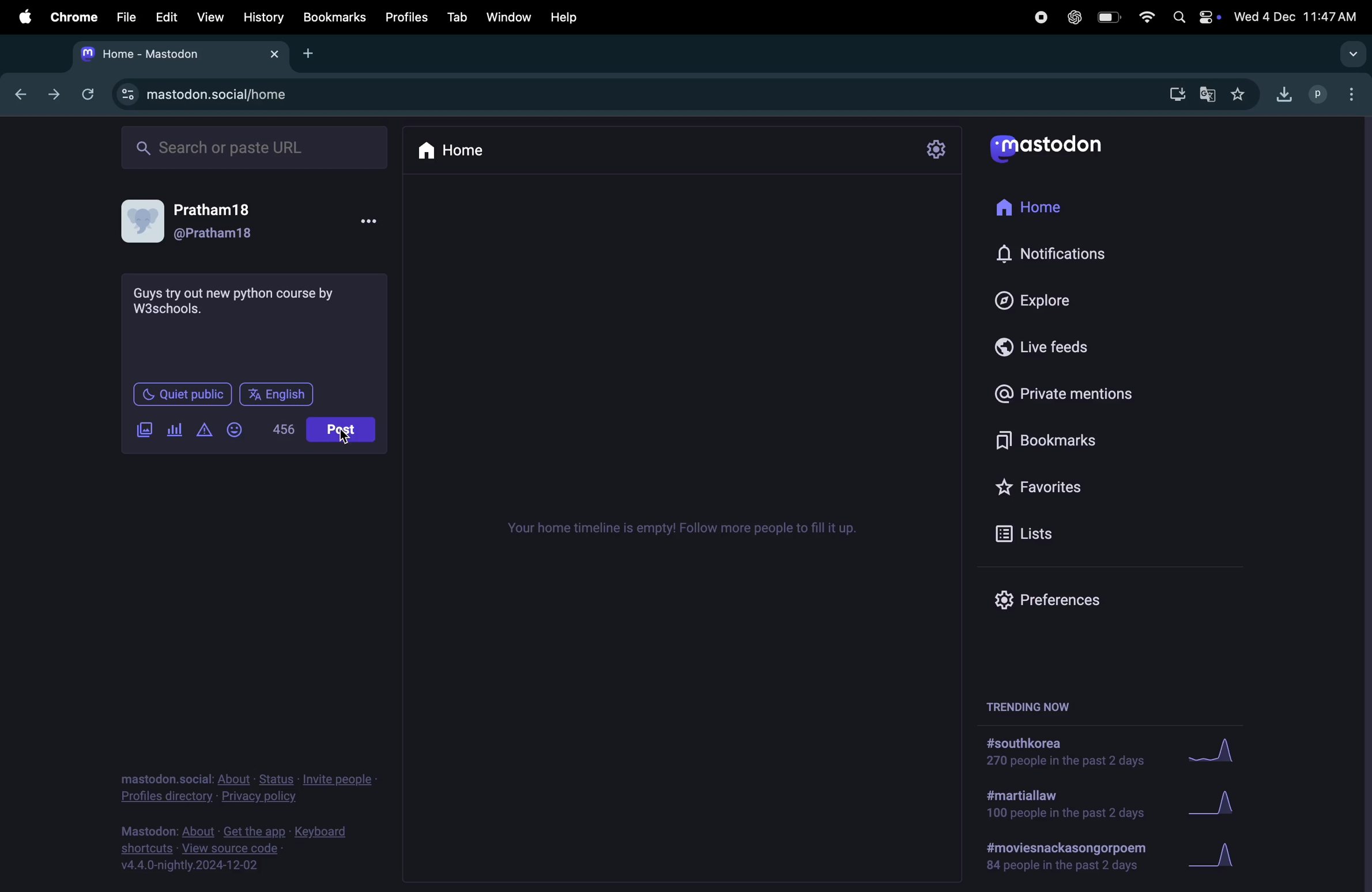 This screenshot has height=892, width=1372. Describe the element at coordinates (454, 18) in the screenshot. I see `Tab` at that location.